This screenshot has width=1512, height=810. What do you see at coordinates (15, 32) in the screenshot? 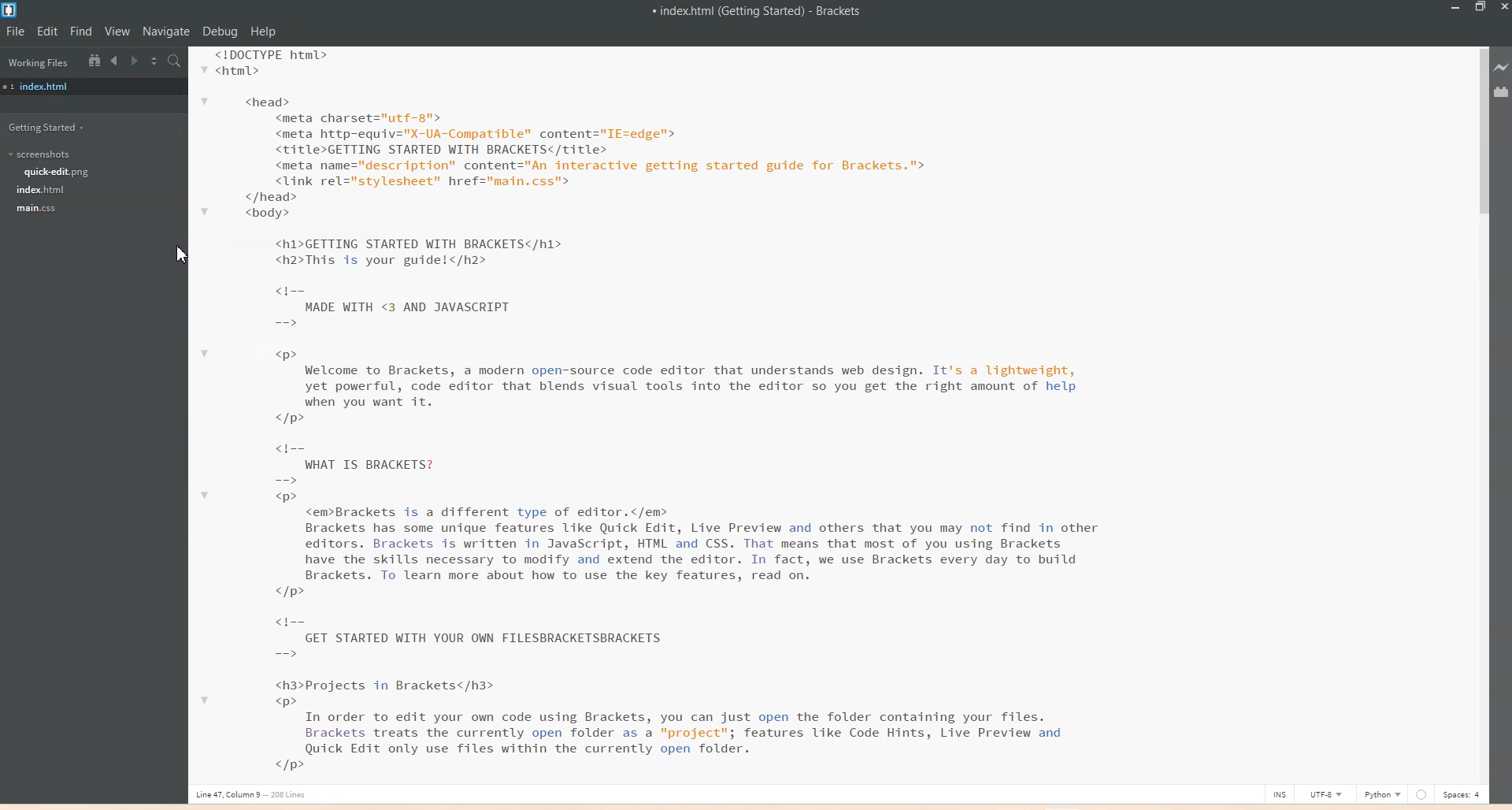
I see `File` at bounding box center [15, 32].